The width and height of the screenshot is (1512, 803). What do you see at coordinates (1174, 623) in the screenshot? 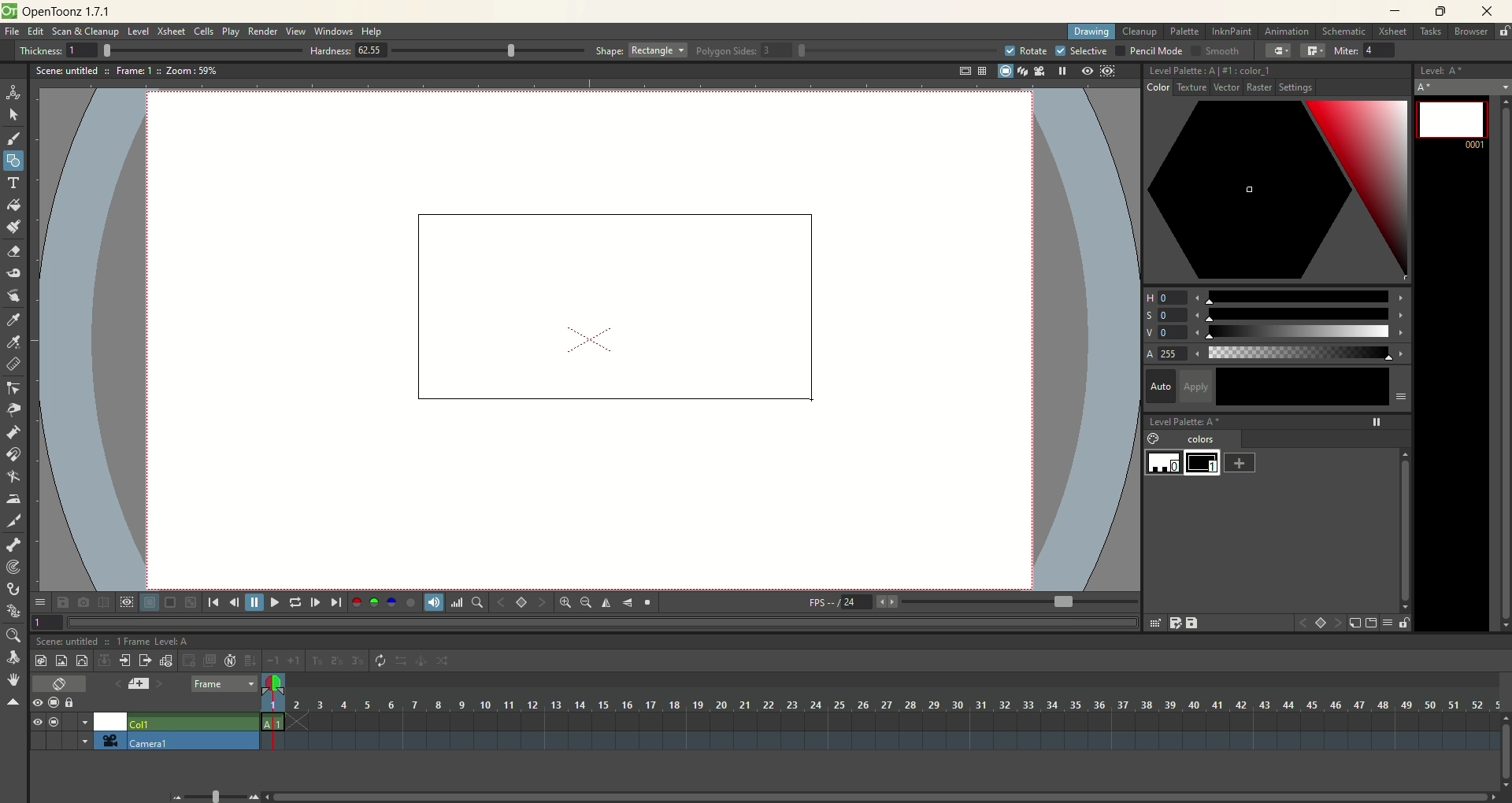
I see `save as` at bounding box center [1174, 623].